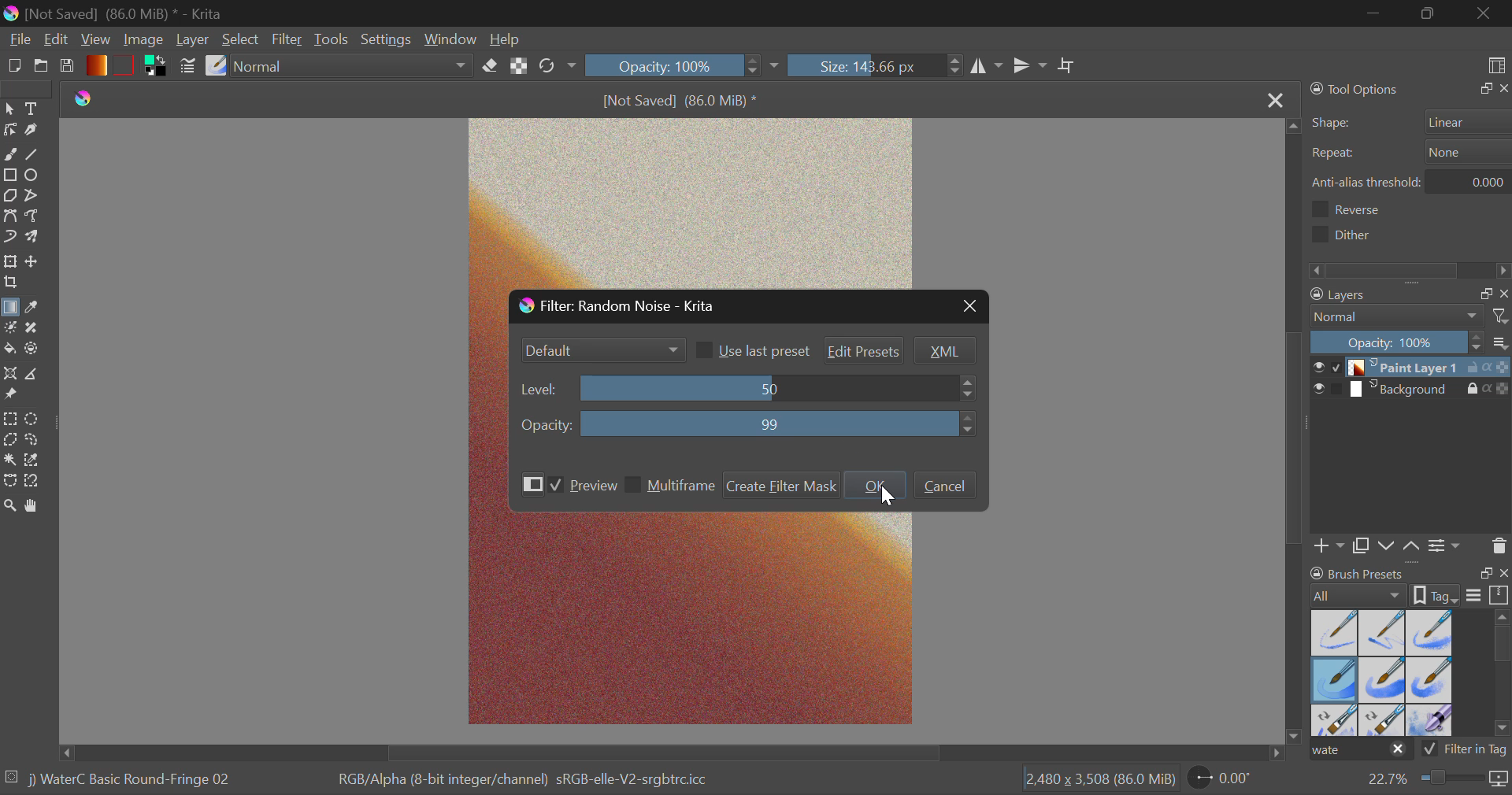 Image resolution: width=1512 pixels, height=795 pixels. What do you see at coordinates (9, 109) in the screenshot?
I see `Select` at bounding box center [9, 109].